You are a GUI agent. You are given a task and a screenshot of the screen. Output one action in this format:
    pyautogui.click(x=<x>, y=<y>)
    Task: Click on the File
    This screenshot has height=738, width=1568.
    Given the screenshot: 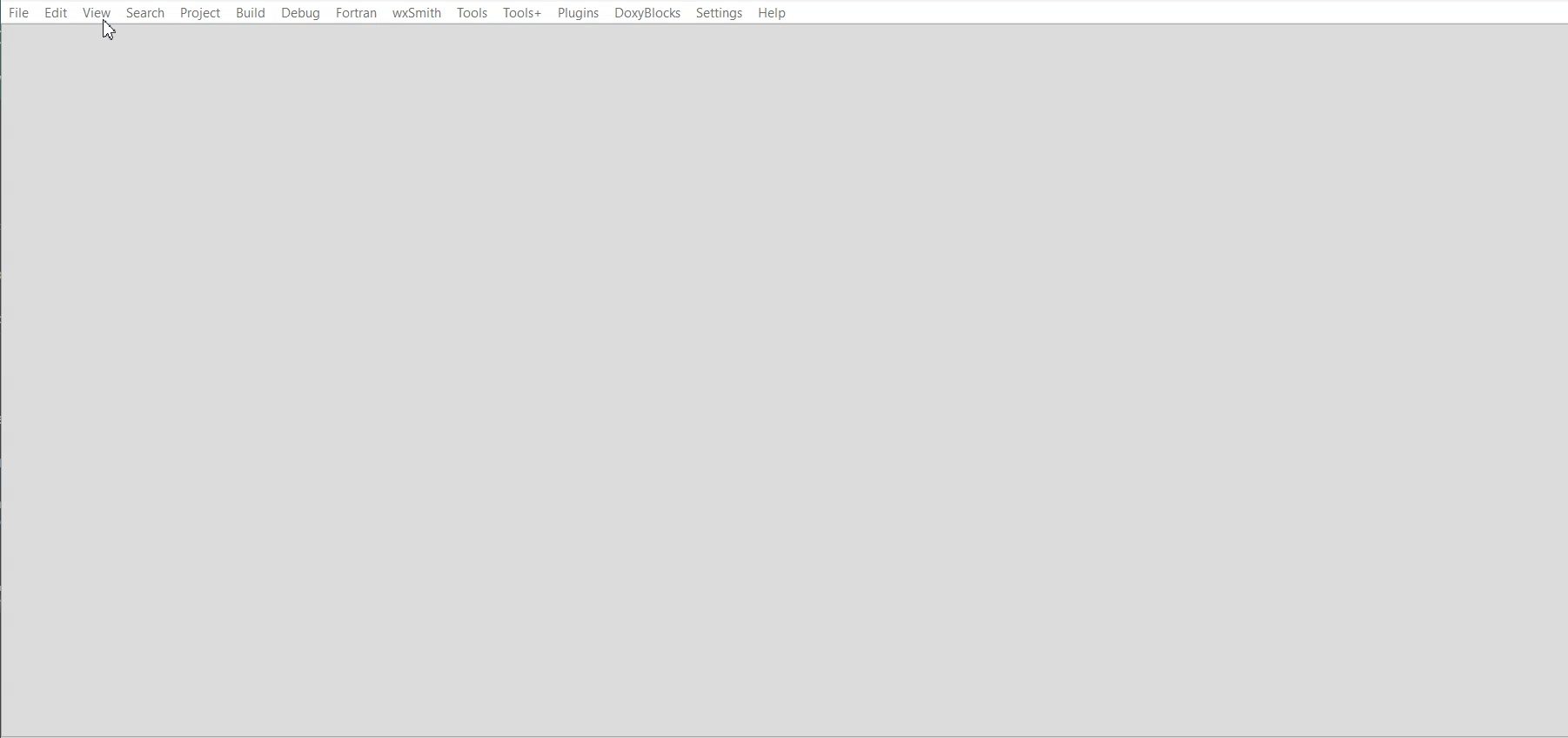 What is the action you would take?
    pyautogui.click(x=19, y=11)
    